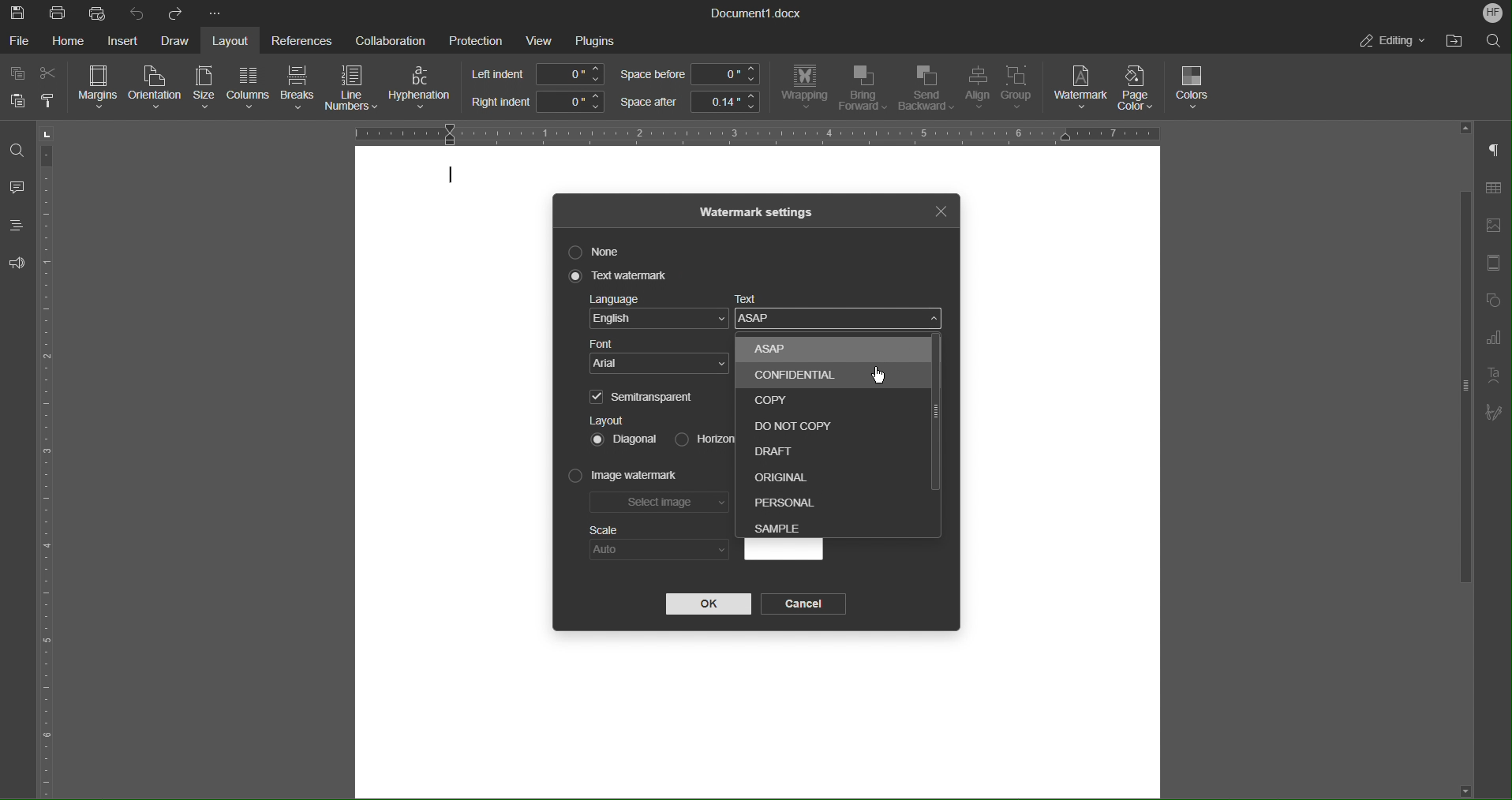 This screenshot has width=1512, height=800. Describe the element at coordinates (176, 41) in the screenshot. I see `Draw` at that location.